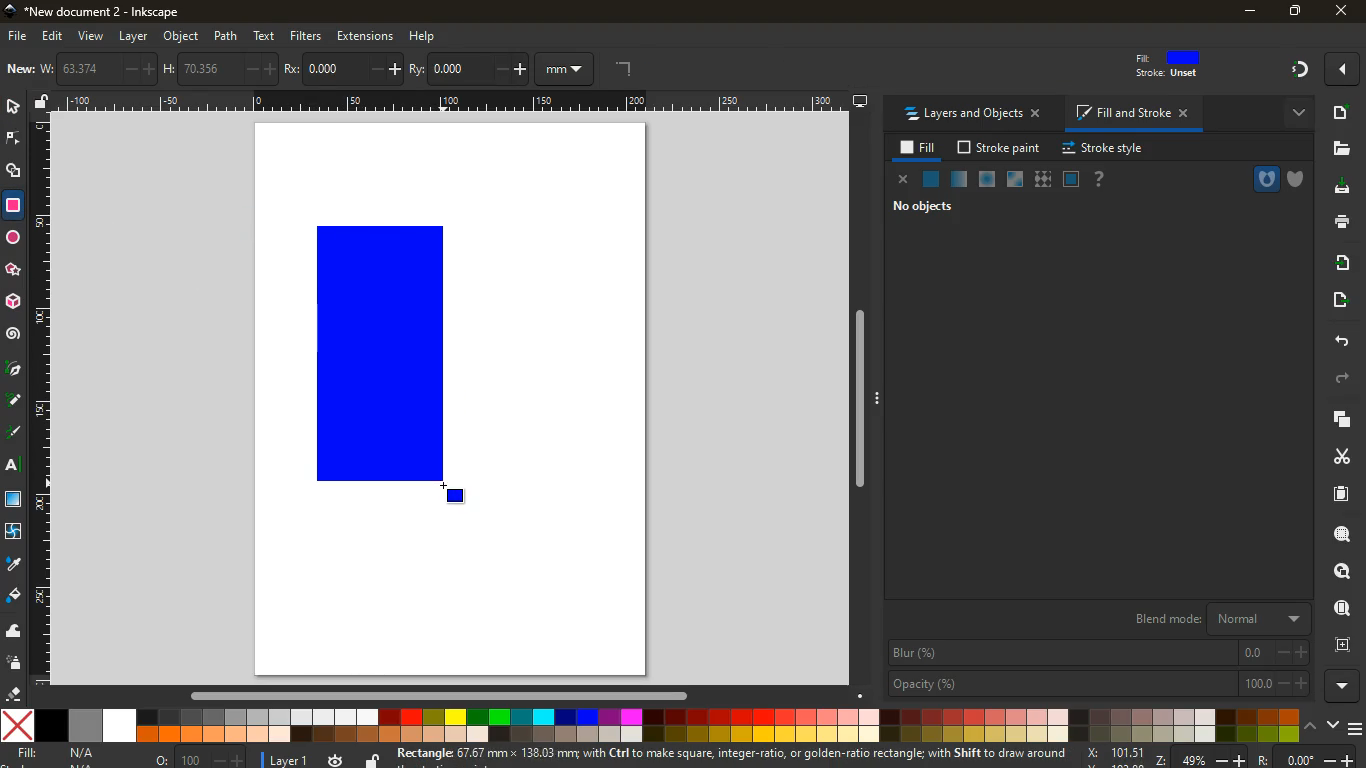  Describe the element at coordinates (1169, 64) in the screenshot. I see `fill` at that location.